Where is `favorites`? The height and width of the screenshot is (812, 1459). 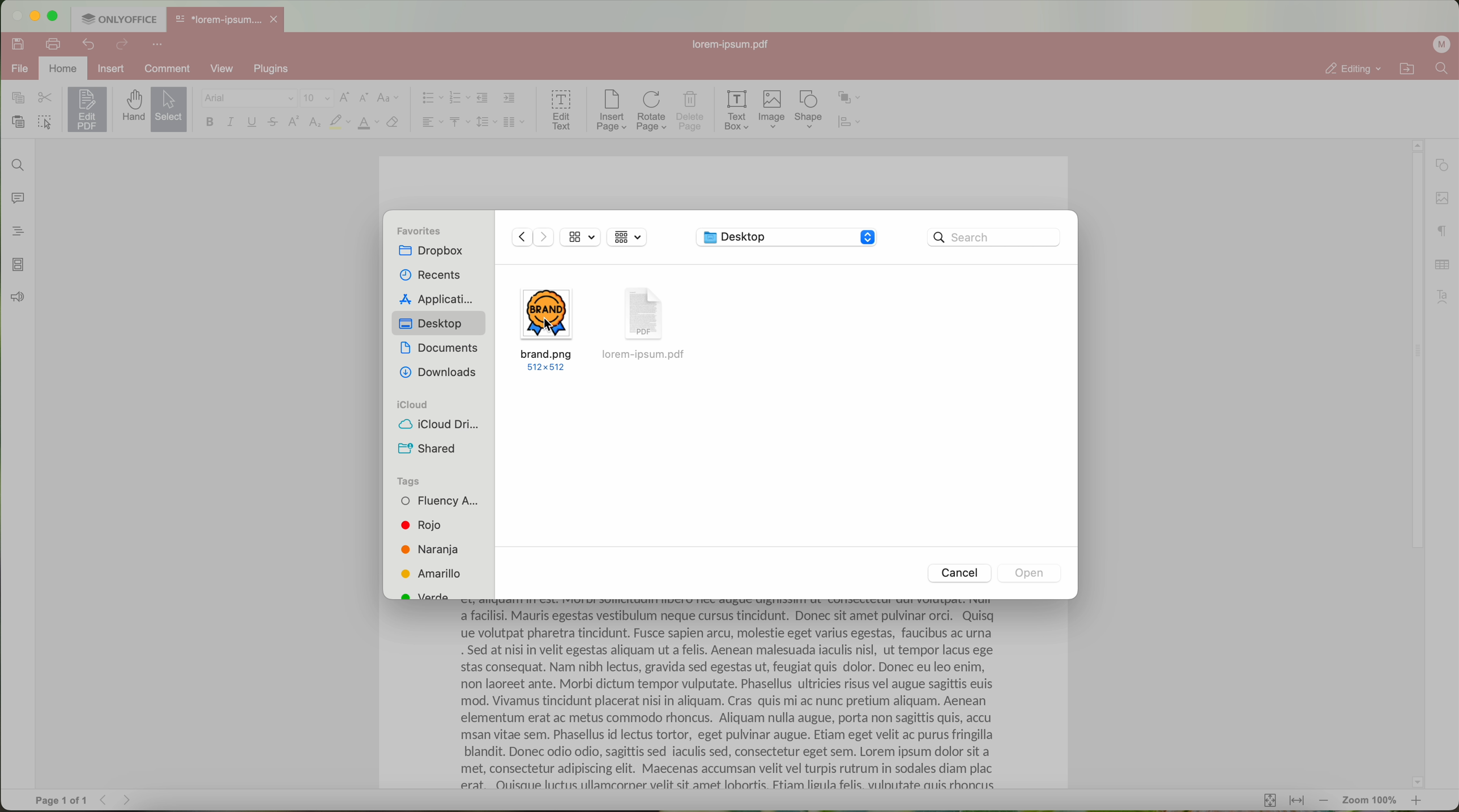
favorites is located at coordinates (416, 231).